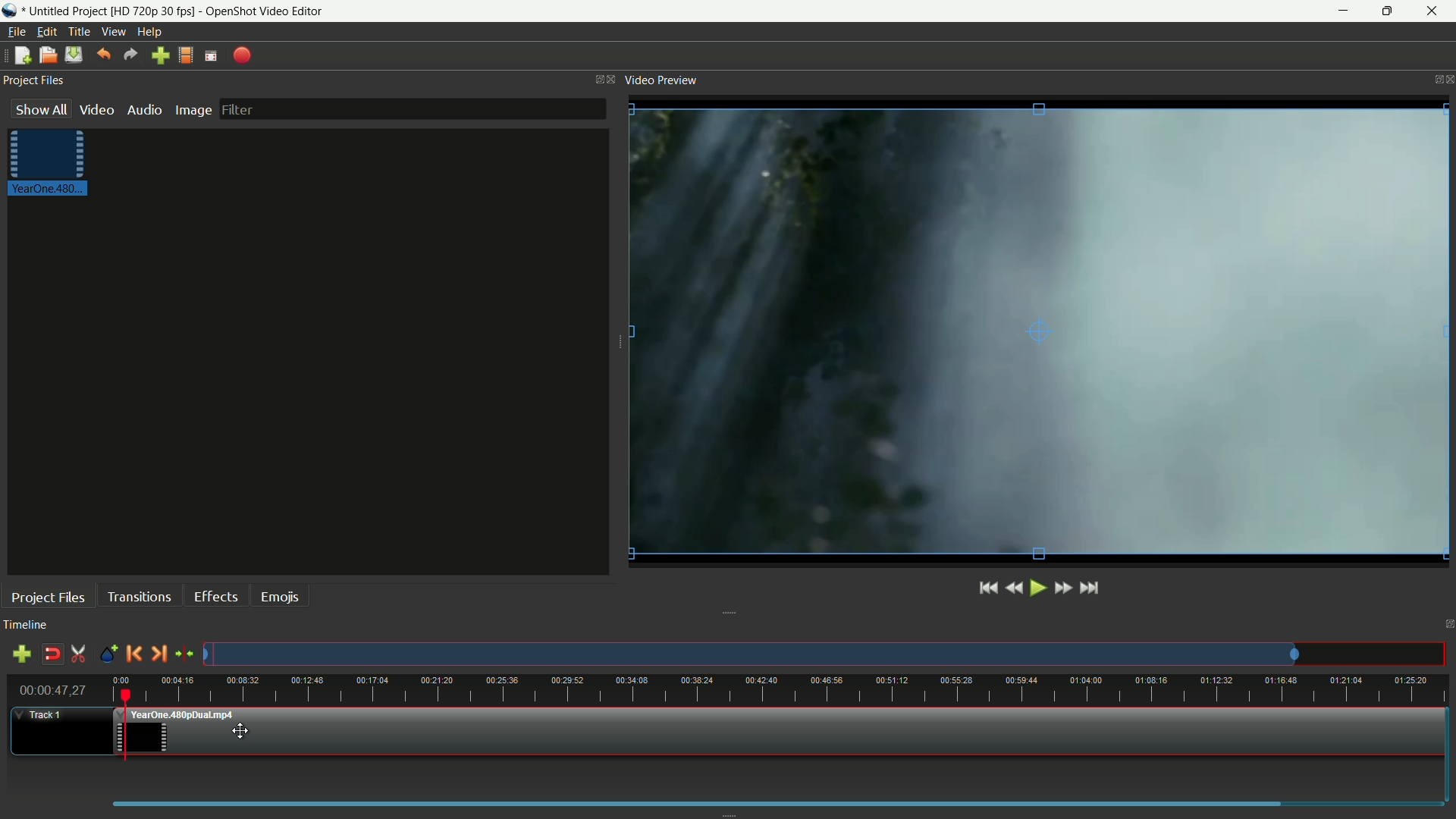 The height and width of the screenshot is (819, 1456). What do you see at coordinates (1038, 329) in the screenshot?
I see `video preview` at bounding box center [1038, 329].